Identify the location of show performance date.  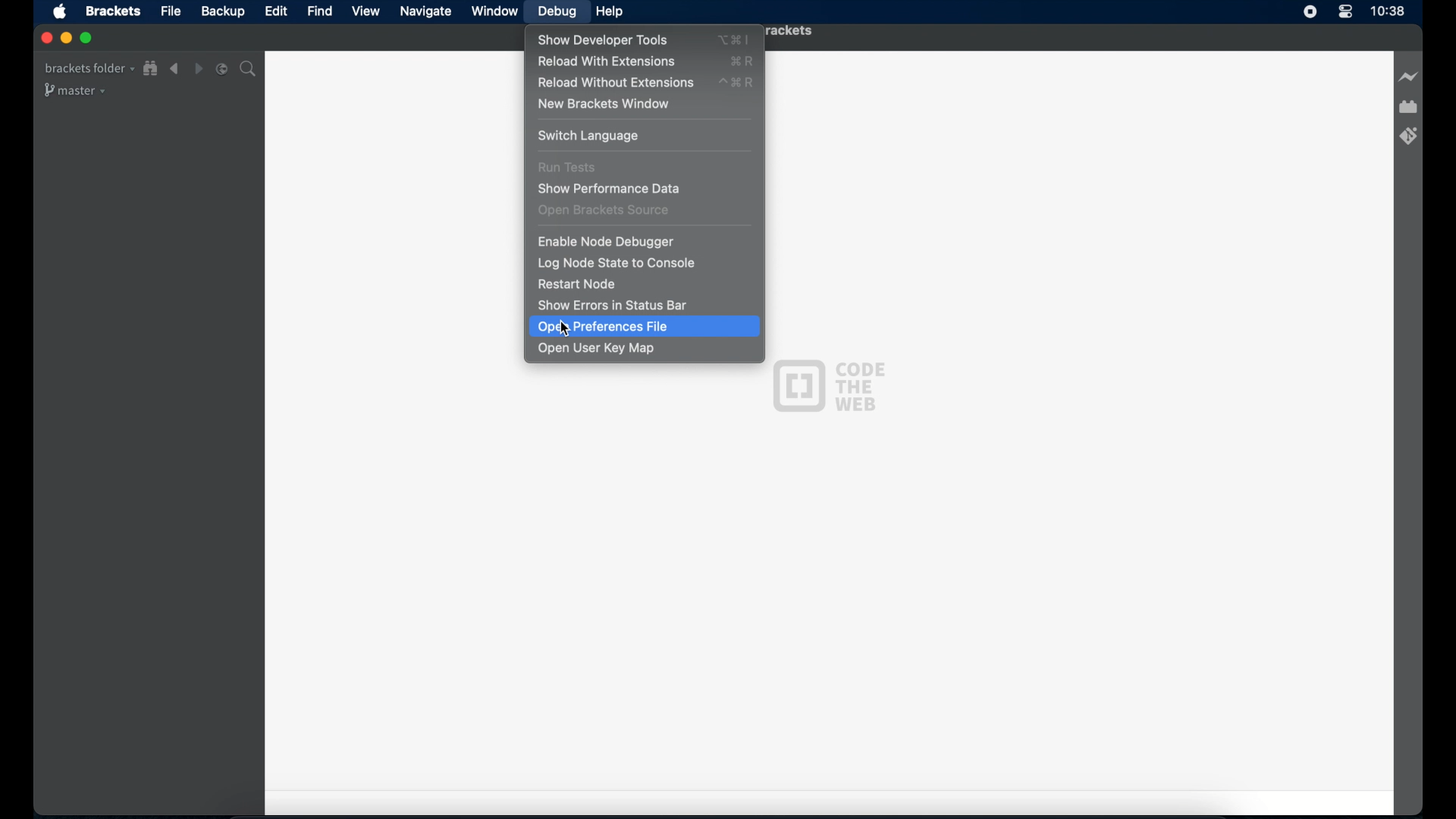
(610, 189).